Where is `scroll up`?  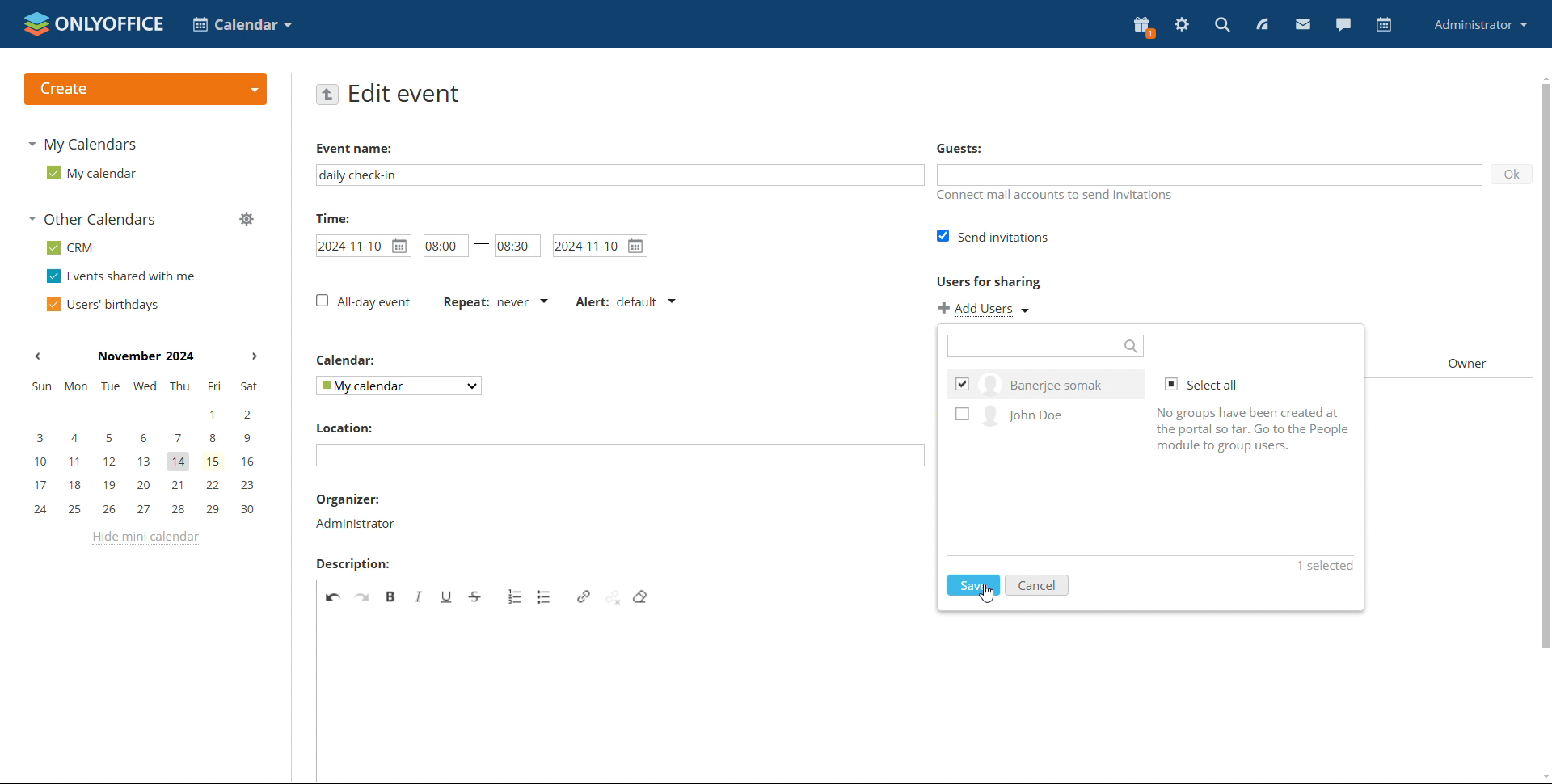
scroll up is located at coordinates (1542, 76).